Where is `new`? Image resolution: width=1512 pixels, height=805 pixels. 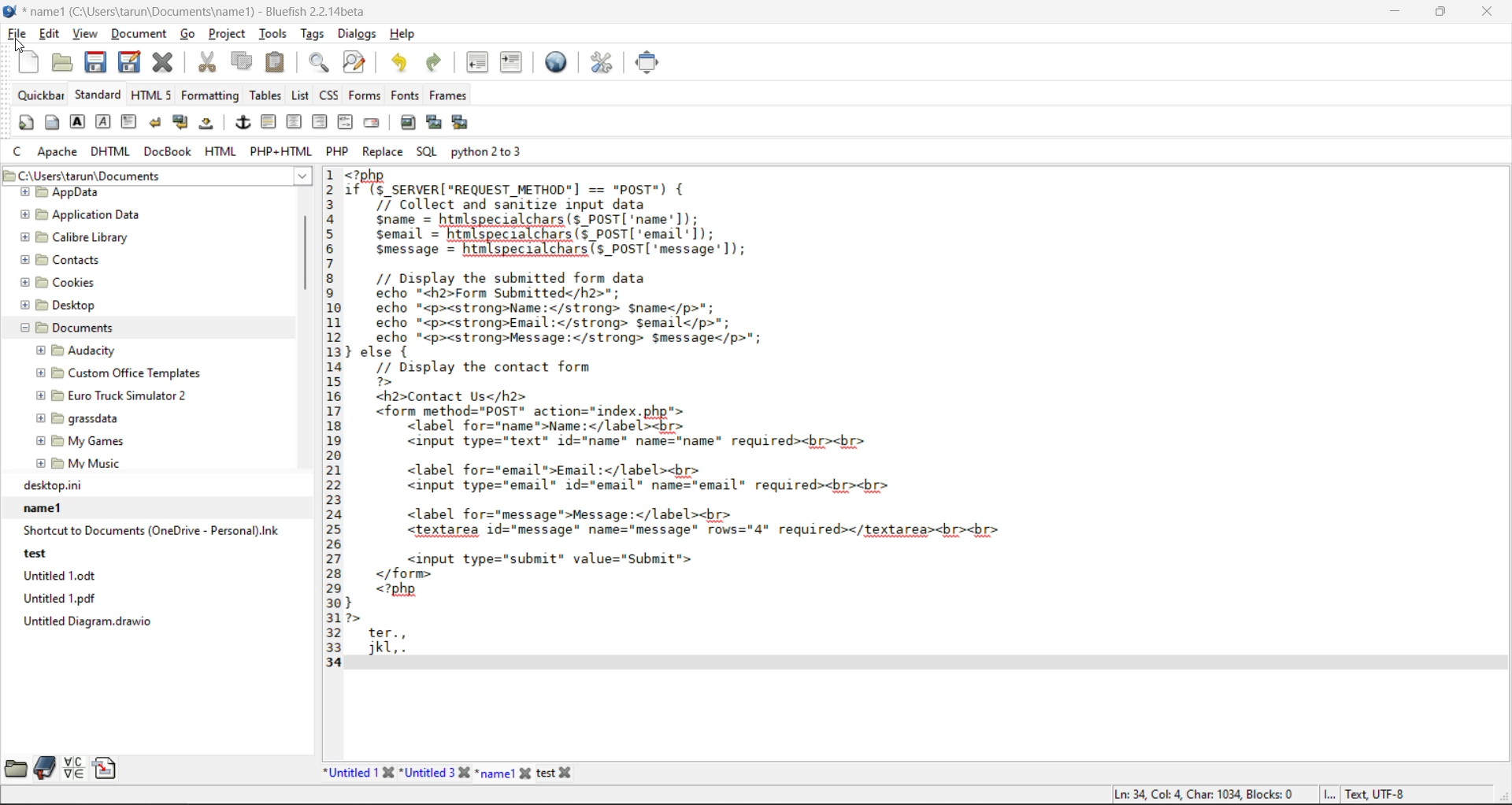
new is located at coordinates (31, 61).